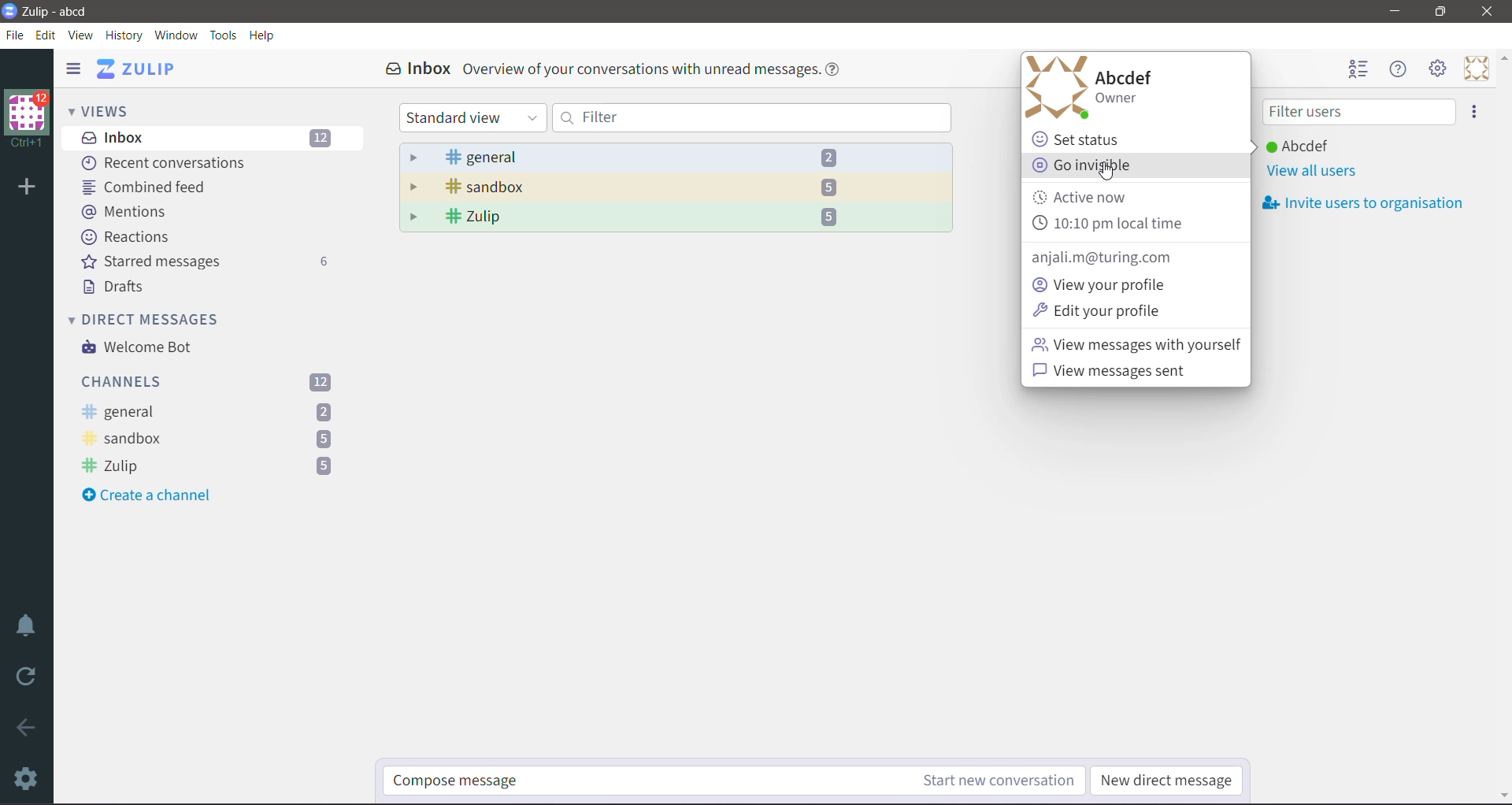 The width and height of the screenshot is (1512, 805). What do you see at coordinates (28, 681) in the screenshot?
I see `Reload` at bounding box center [28, 681].